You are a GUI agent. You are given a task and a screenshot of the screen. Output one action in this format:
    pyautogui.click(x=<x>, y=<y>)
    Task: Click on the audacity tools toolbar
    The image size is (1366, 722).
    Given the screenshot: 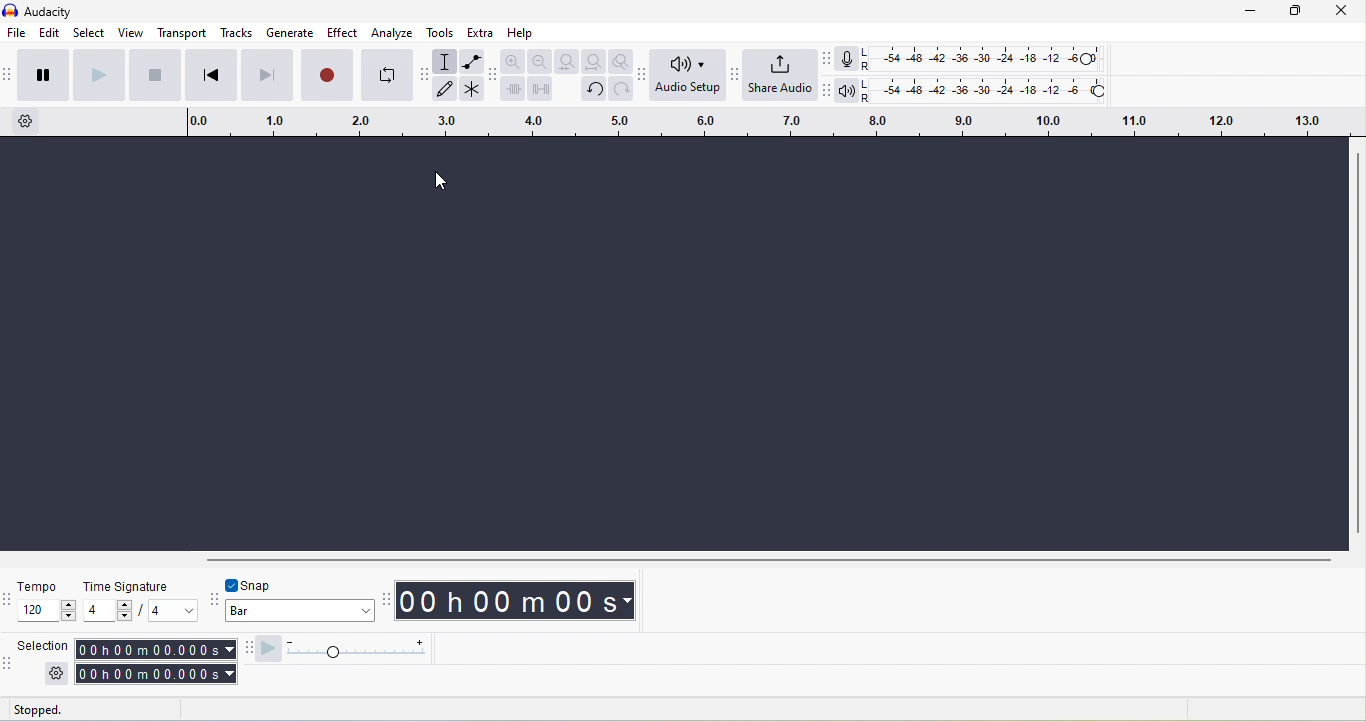 What is the action you would take?
    pyautogui.click(x=424, y=76)
    